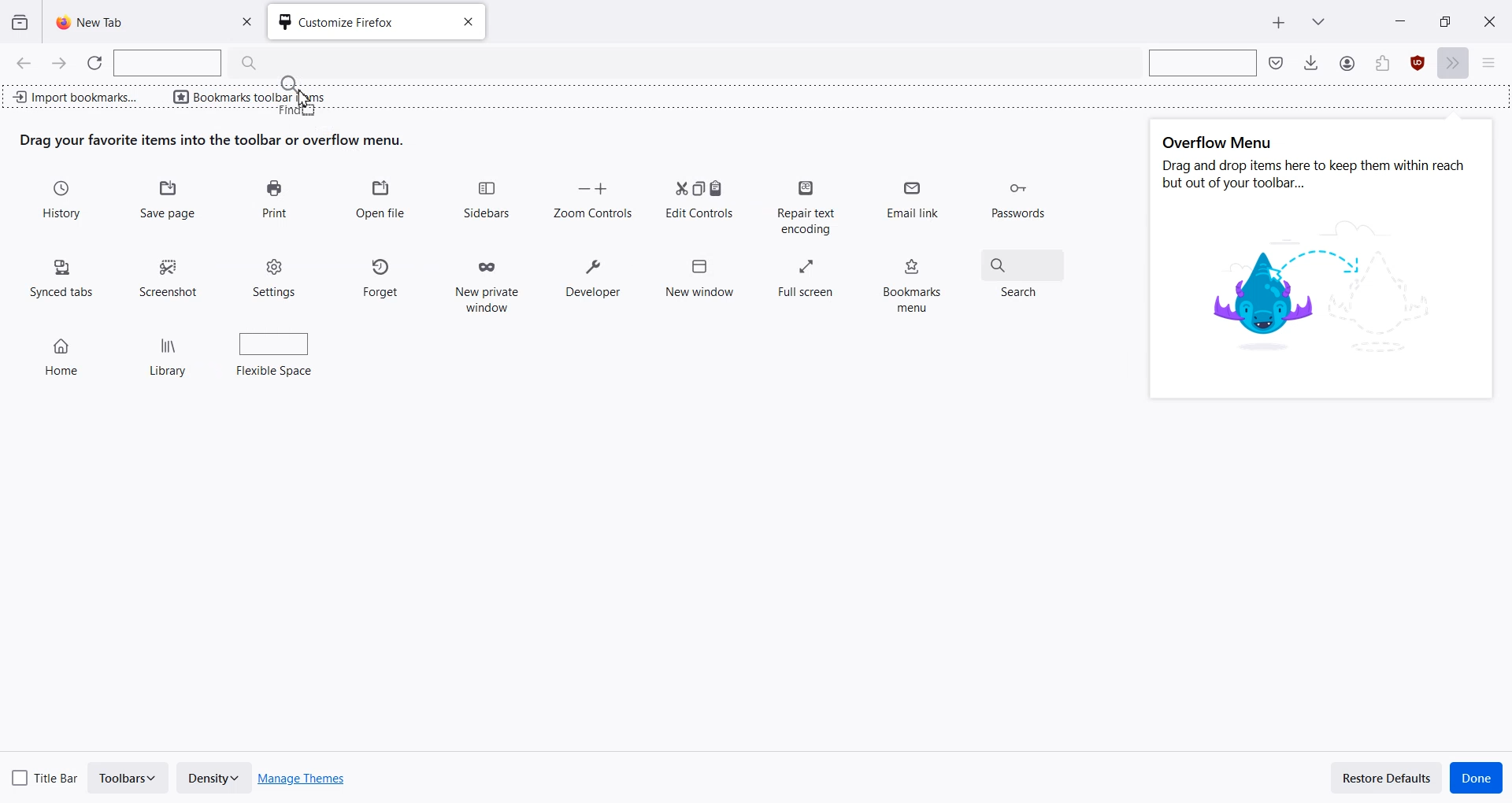 This screenshot has height=803, width=1512. Describe the element at coordinates (1418, 64) in the screenshot. I see `Extensions` at that location.